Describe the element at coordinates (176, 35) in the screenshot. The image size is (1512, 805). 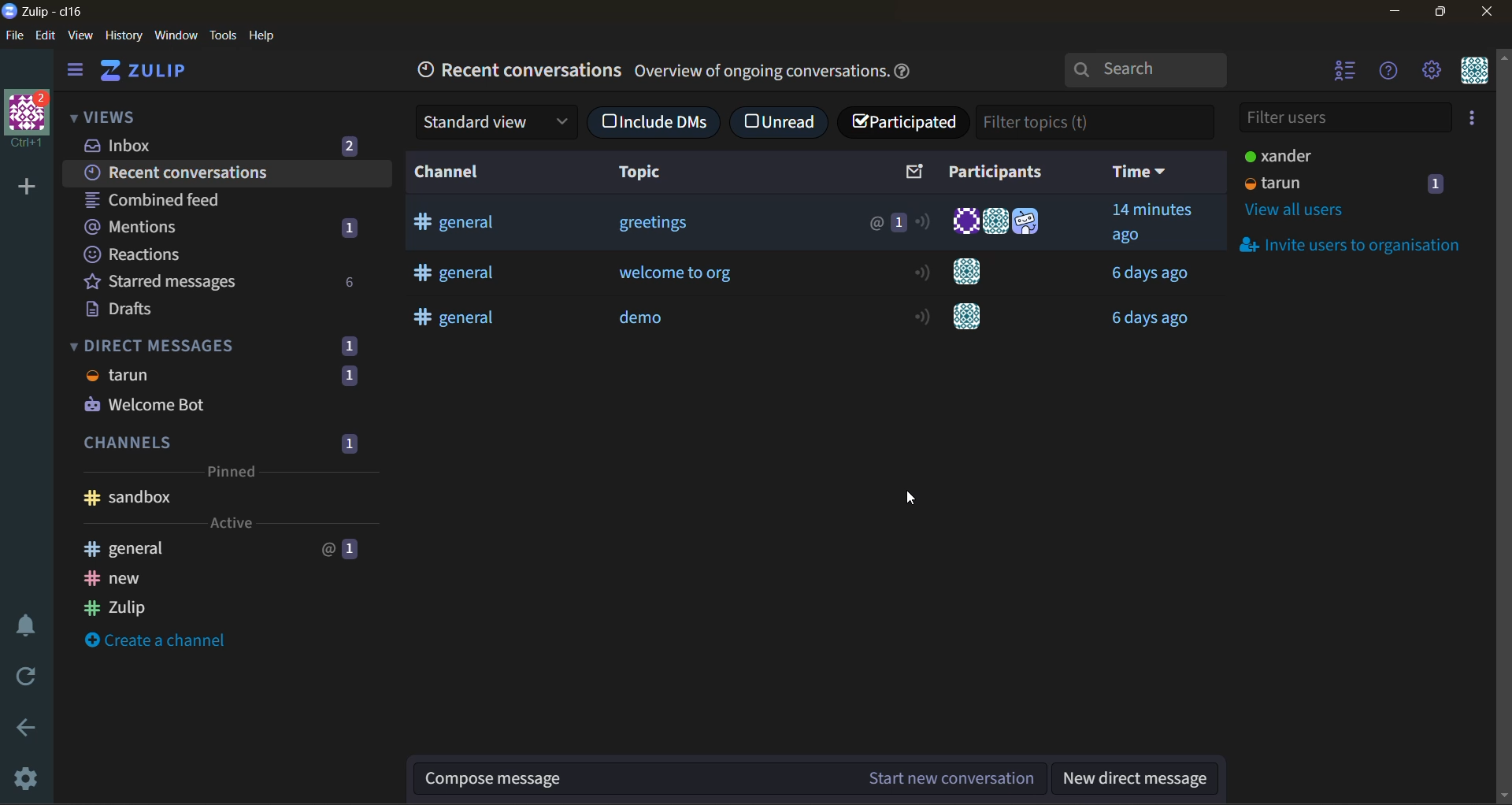
I see `window` at that location.